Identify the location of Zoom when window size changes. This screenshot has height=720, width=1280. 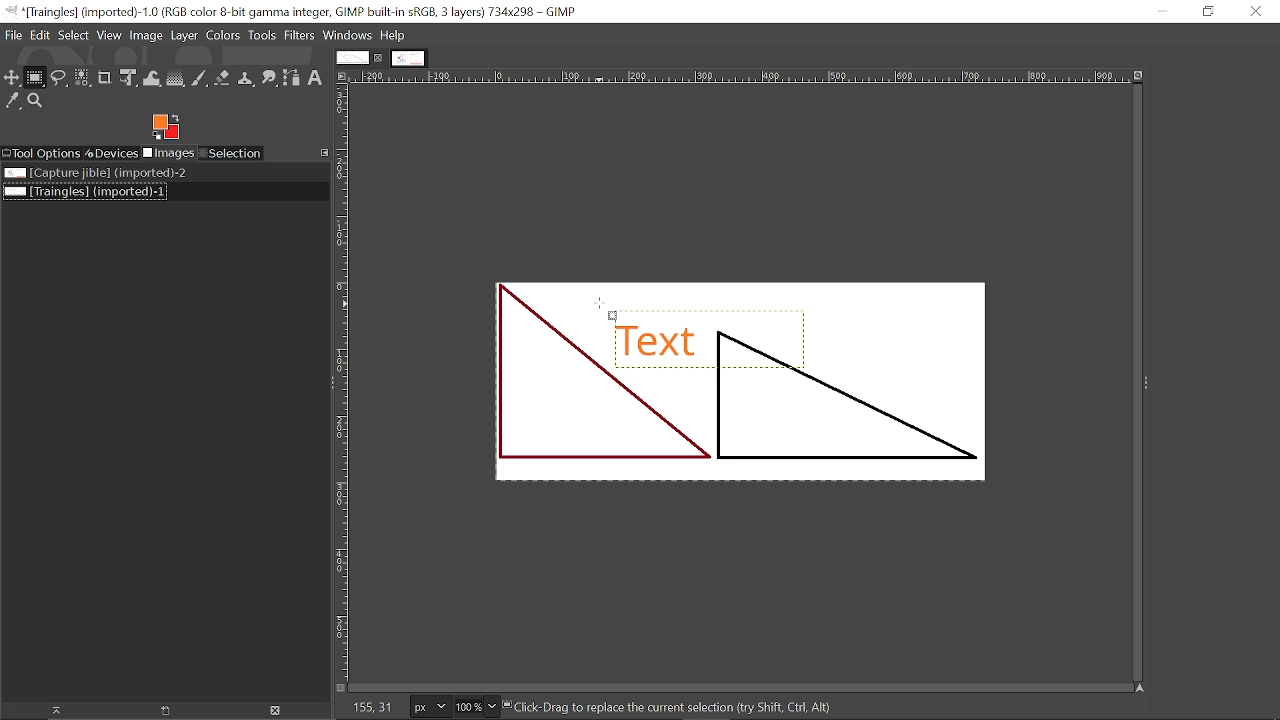
(1141, 76).